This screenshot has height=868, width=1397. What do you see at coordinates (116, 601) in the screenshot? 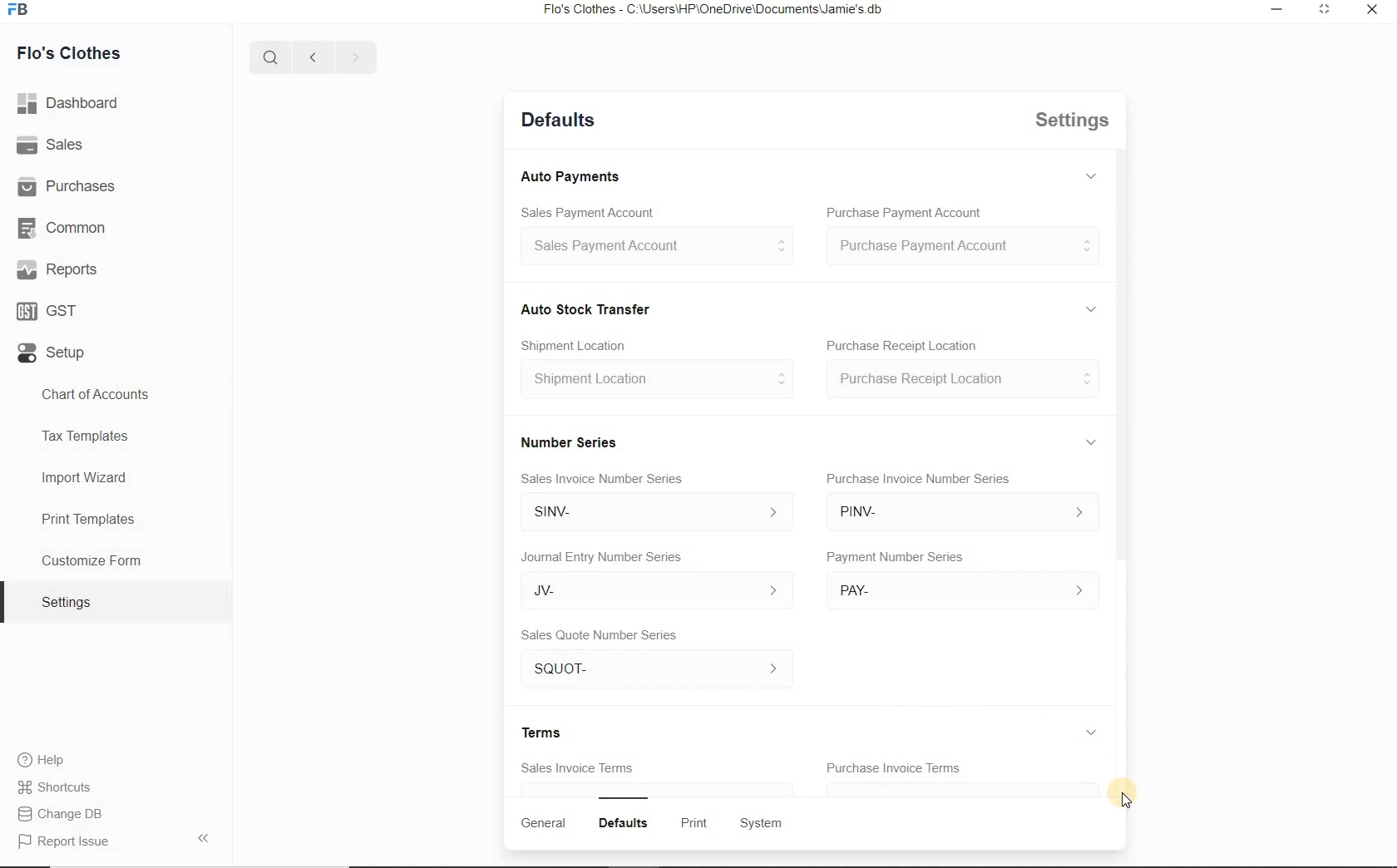
I see `Settings` at bounding box center [116, 601].